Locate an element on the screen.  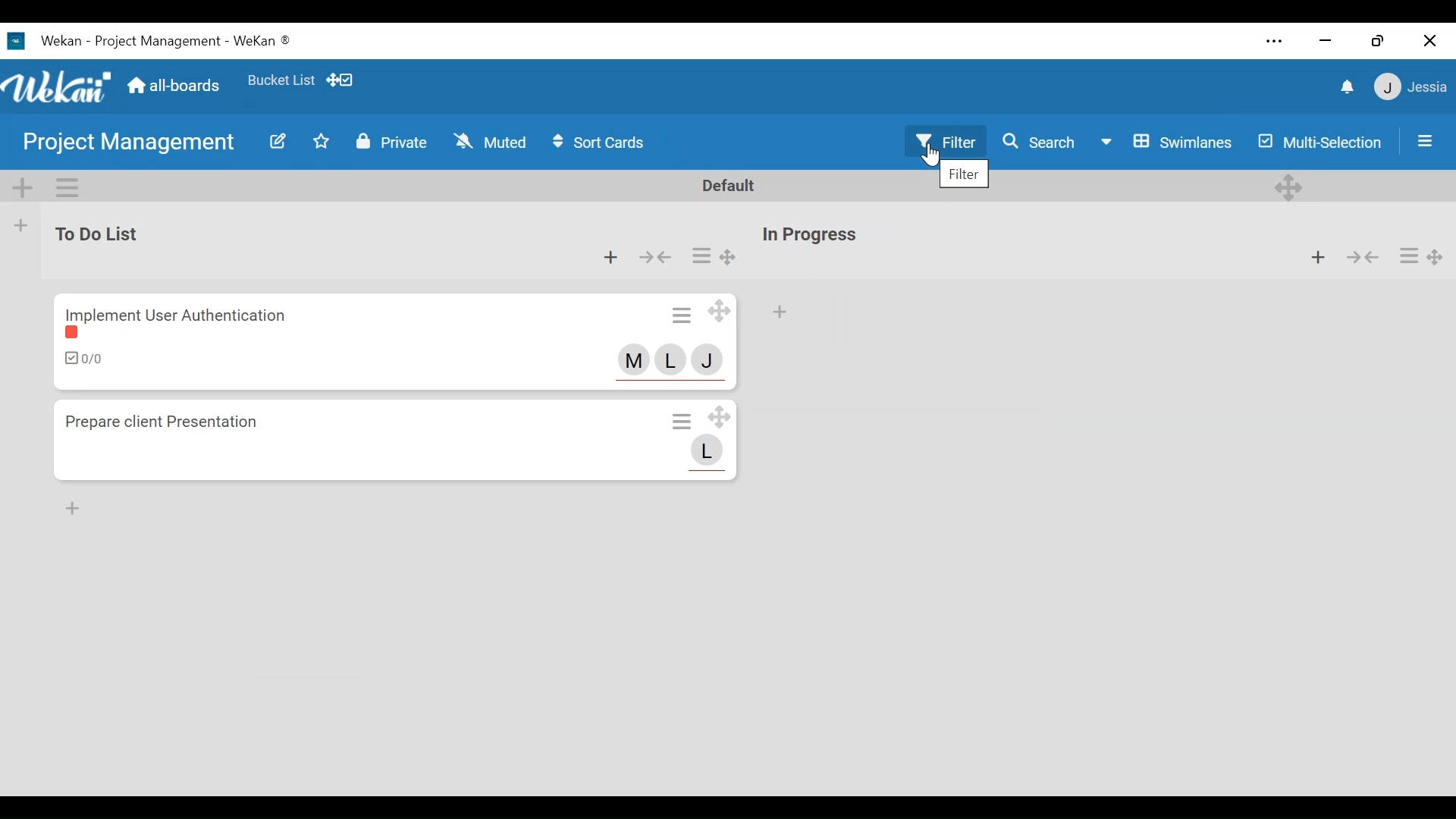
Default is located at coordinates (724, 185).